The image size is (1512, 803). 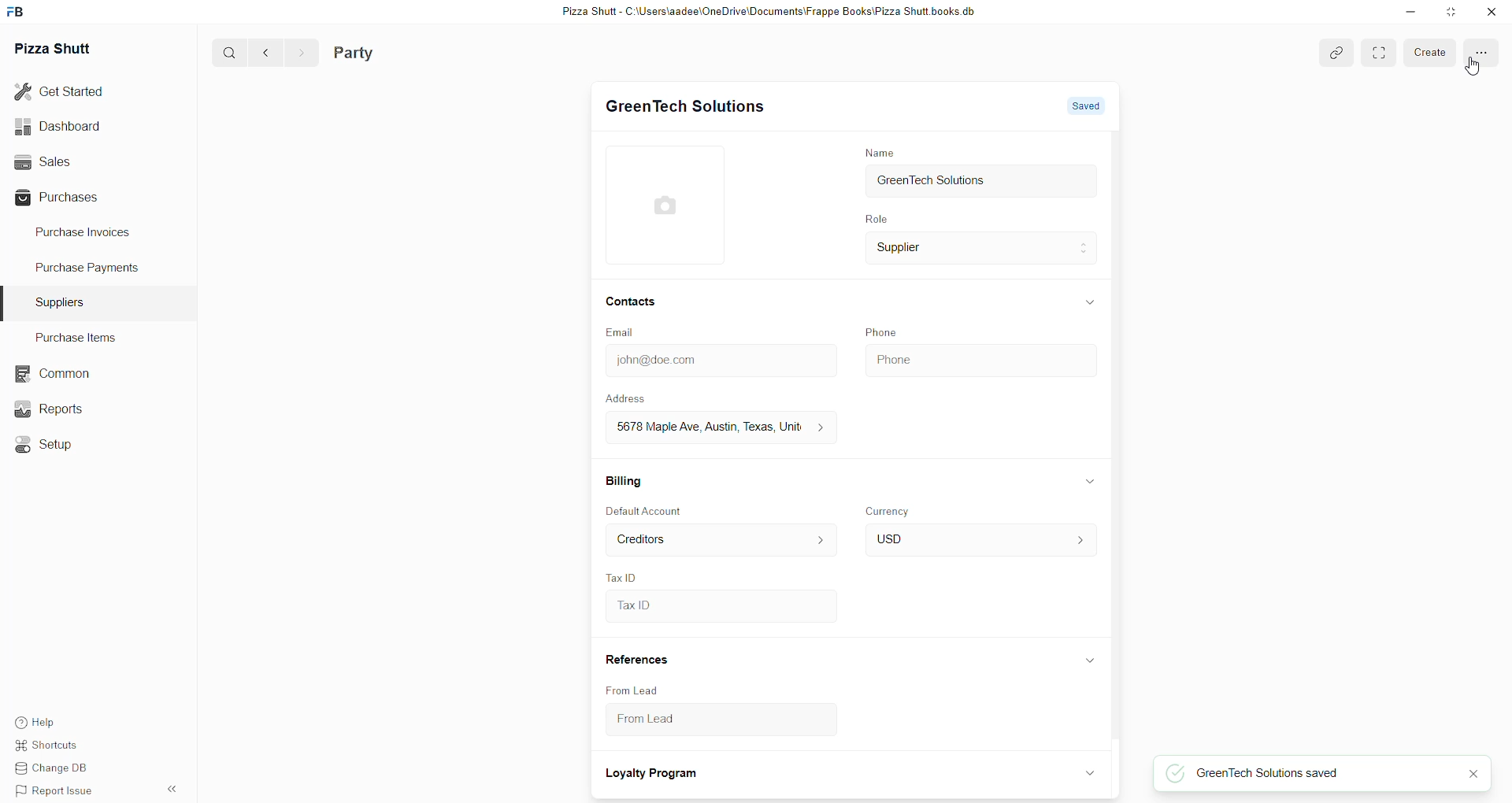 I want to click on Creditors, so click(x=718, y=540).